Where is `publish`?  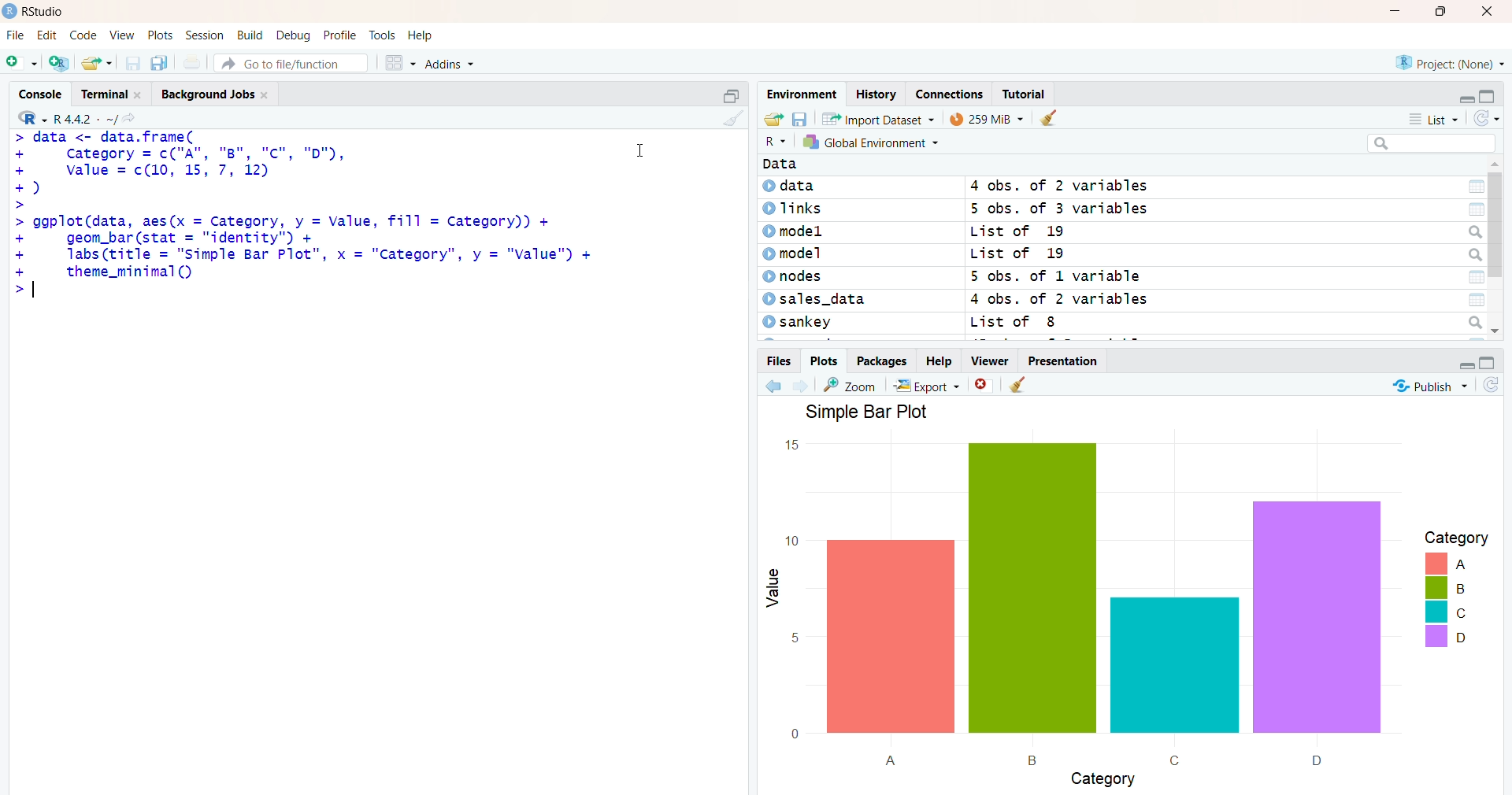 publish is located at coordinates (1428, 384).